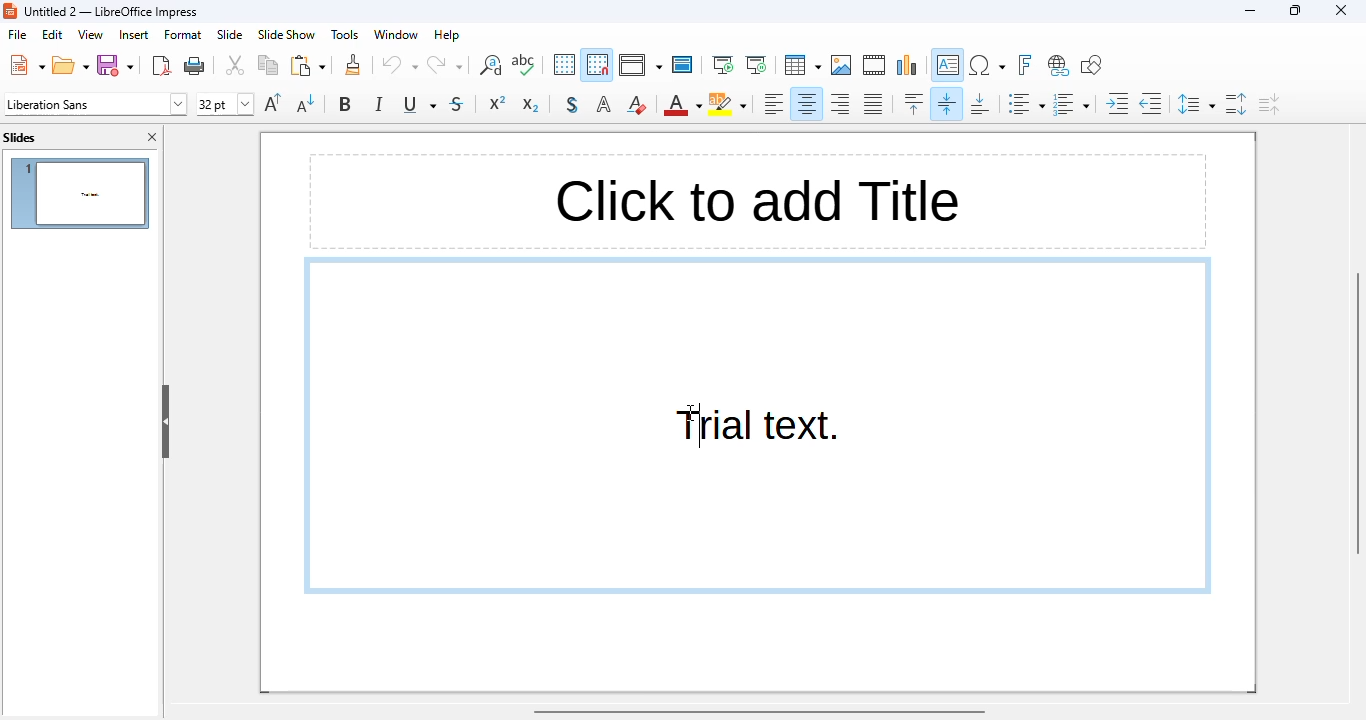 This screenshot has height=720, width=1366. What do you see at coordinates (398, 35) in the screenshot?
I see `window` at bounding box center [398, 35].